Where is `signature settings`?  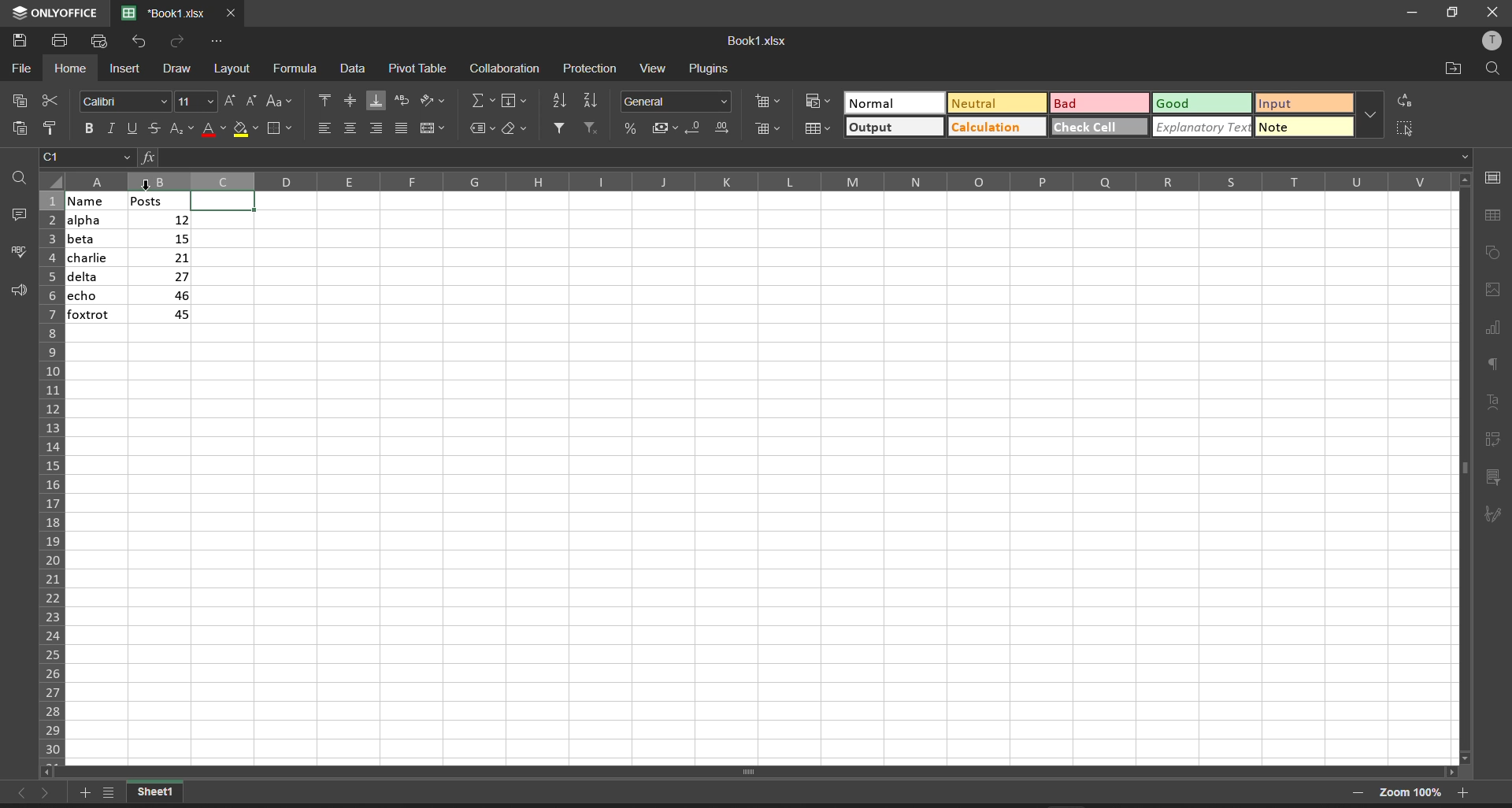
signature settings is located at coordinates (1498, 513).